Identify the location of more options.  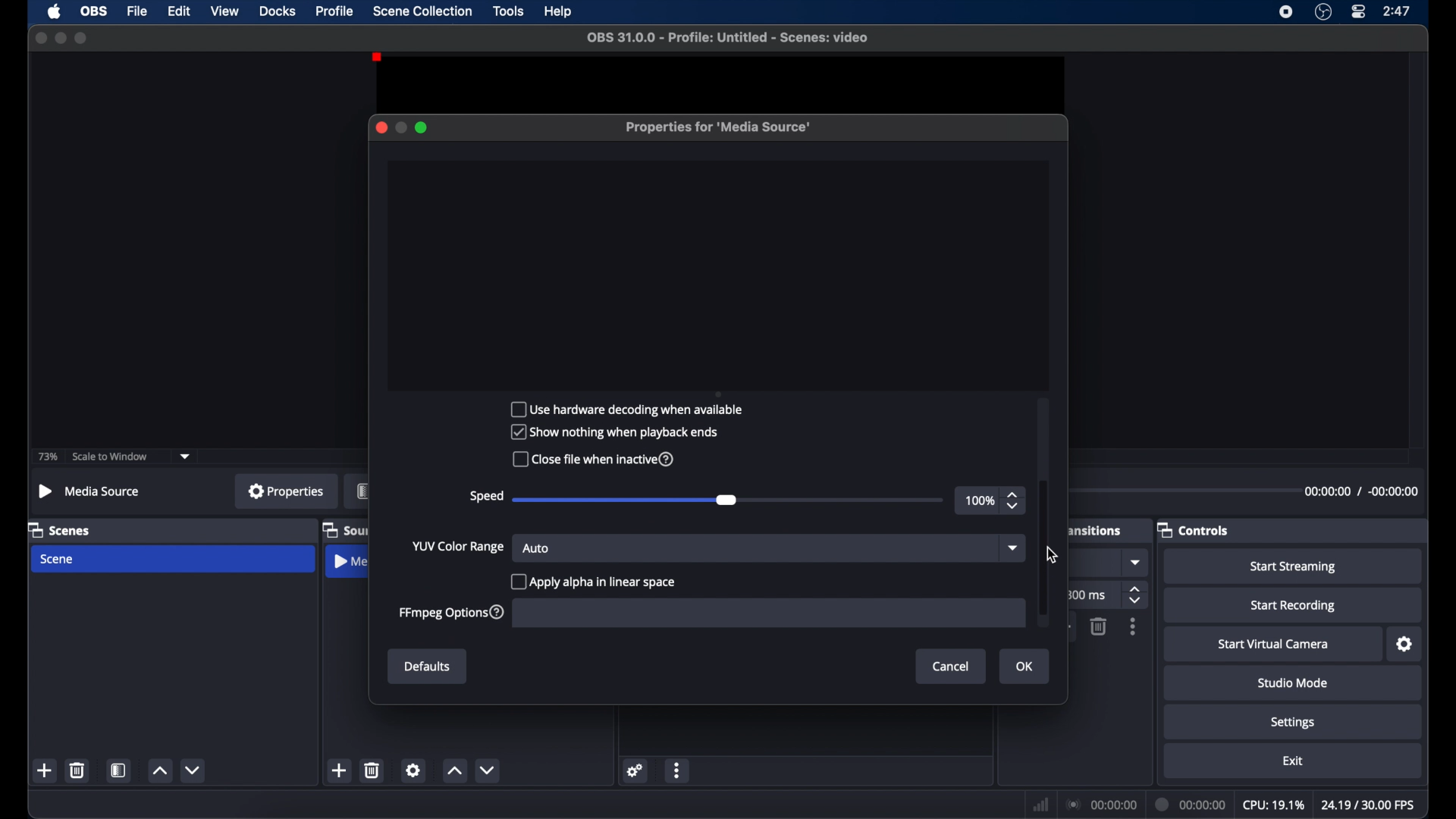
(678, 770).